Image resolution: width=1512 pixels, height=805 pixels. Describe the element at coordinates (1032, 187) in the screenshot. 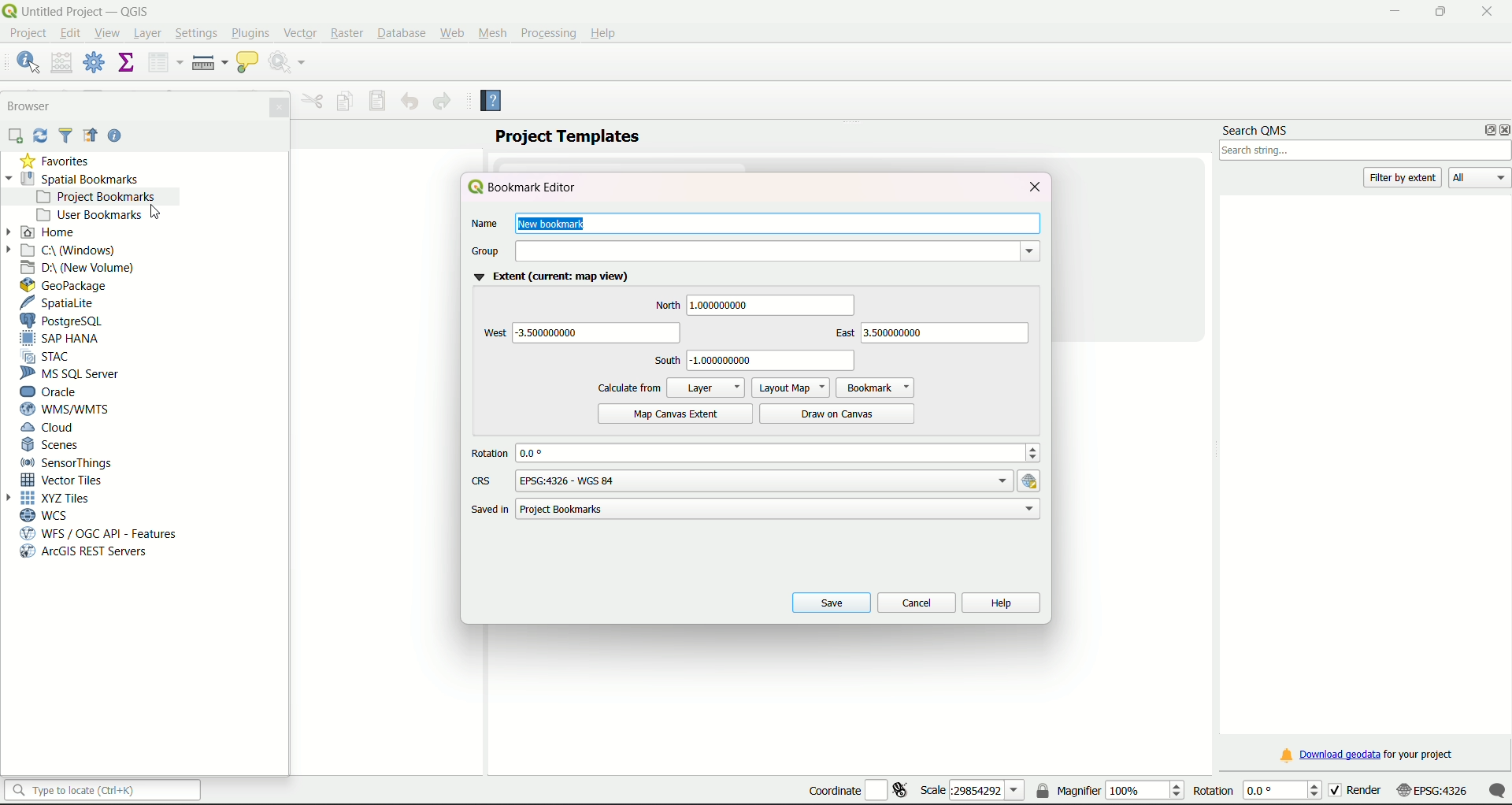

I see `close` at that location.